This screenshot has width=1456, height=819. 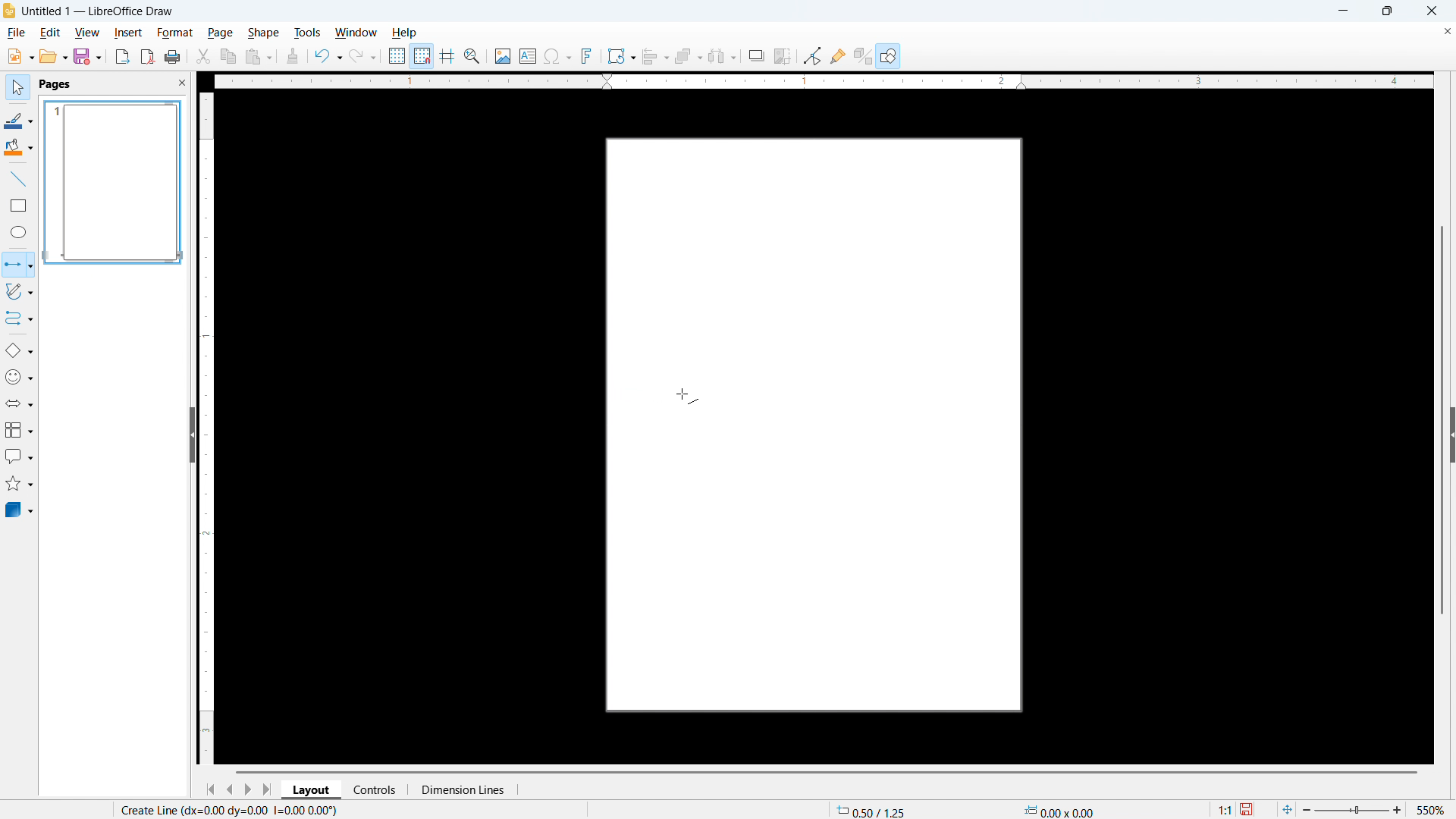 I want to click on clone formatting , so click(x=293, y=57).